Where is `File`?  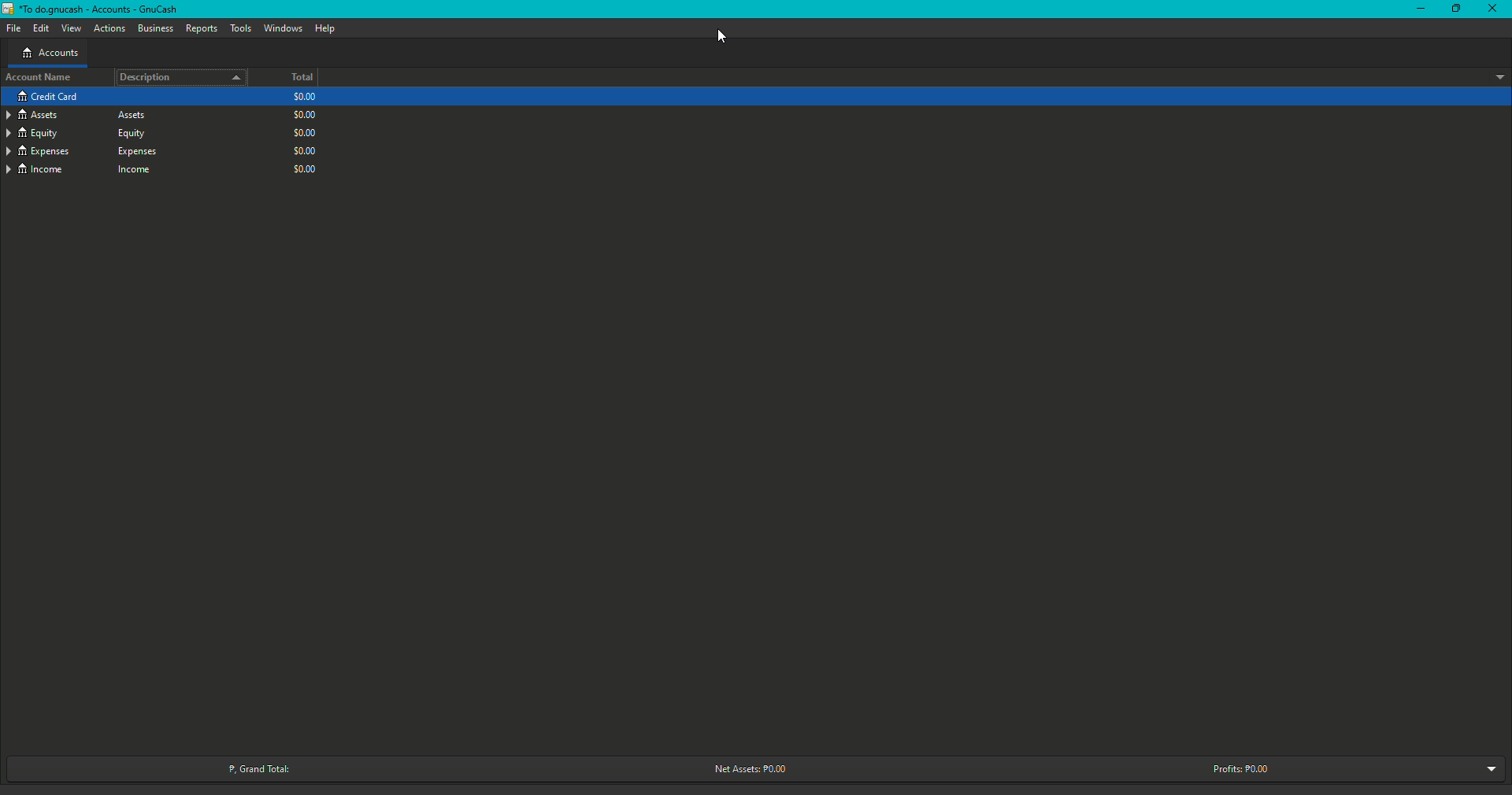
File is located at coordinates (11, 29).